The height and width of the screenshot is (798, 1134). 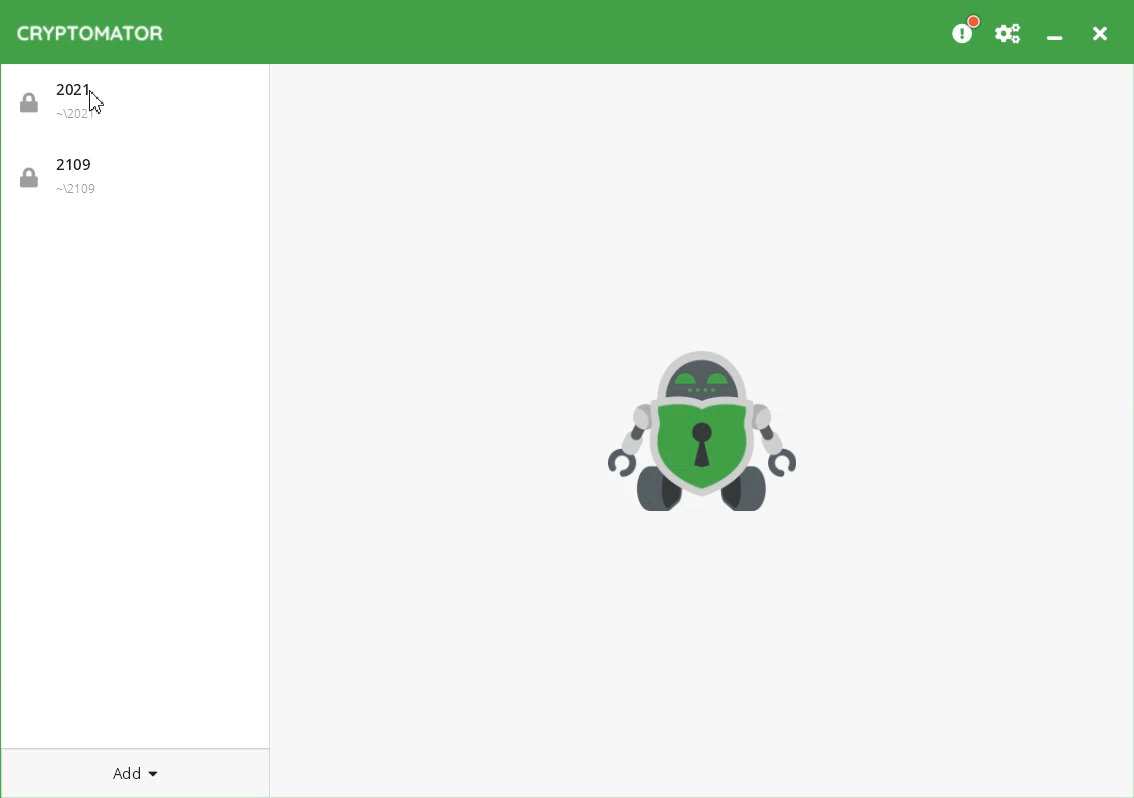 What do you see at coordinates (697, 430) in the screenshot?
I see `Logo` at bounding box center [697, 430].